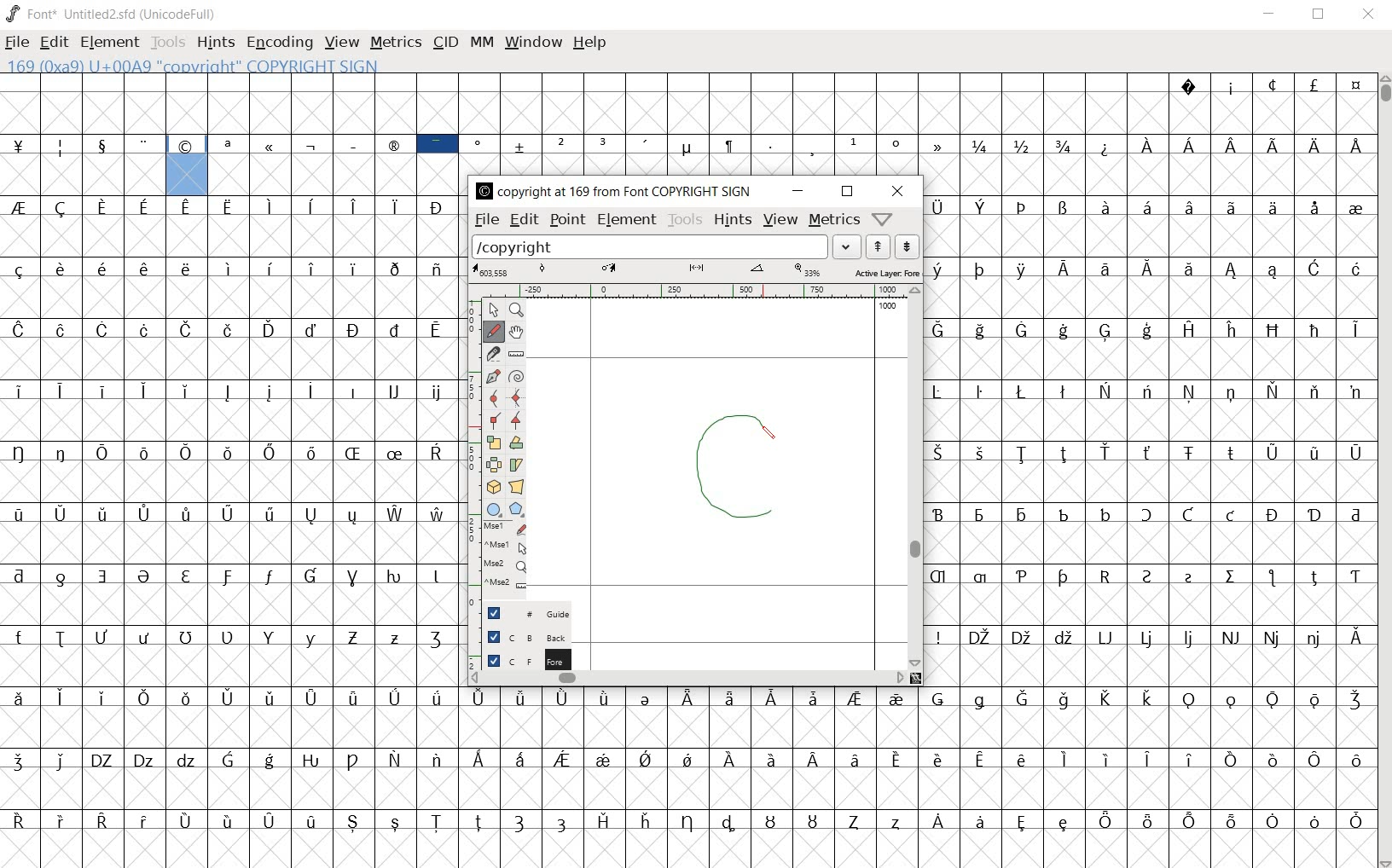 This screenshot has width=1392, height=868. I want to click on glyph characters, so click(960, 123).